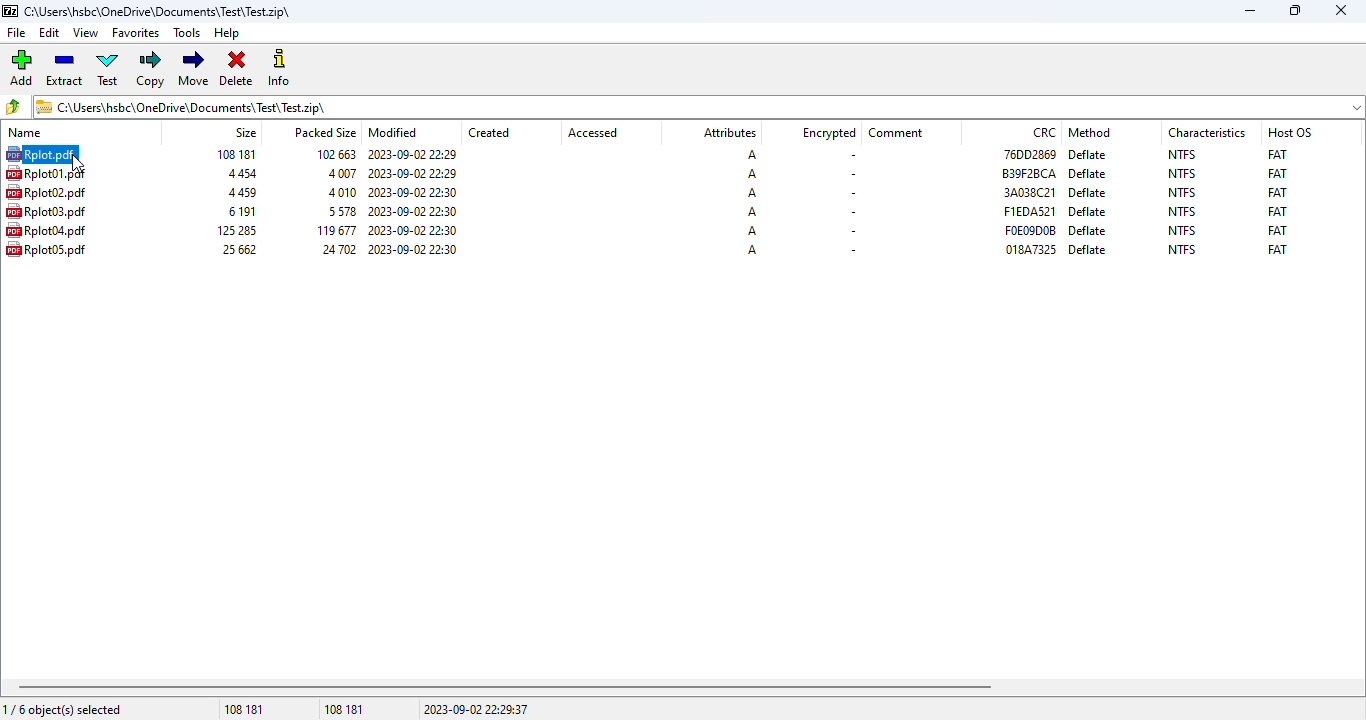 The width and height of the screenshot is (1366, 720). I want to click on packed size, so click(338, 211).